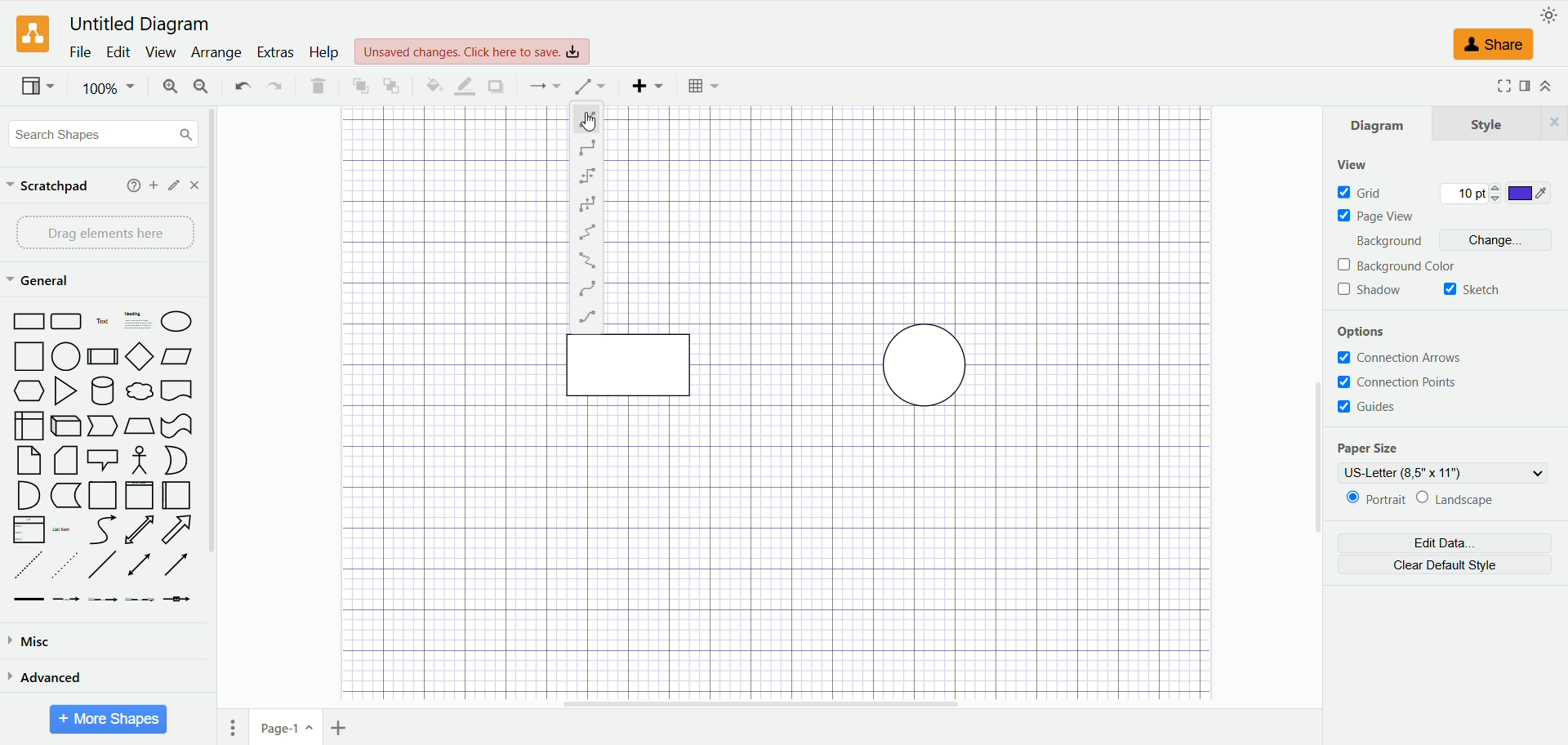 The height and width of the screenshot is (745, 1568). What do you see at coordinates (176, 461) in the screenshot?
I see `Circle Segment` at bounding box center [176, 461].